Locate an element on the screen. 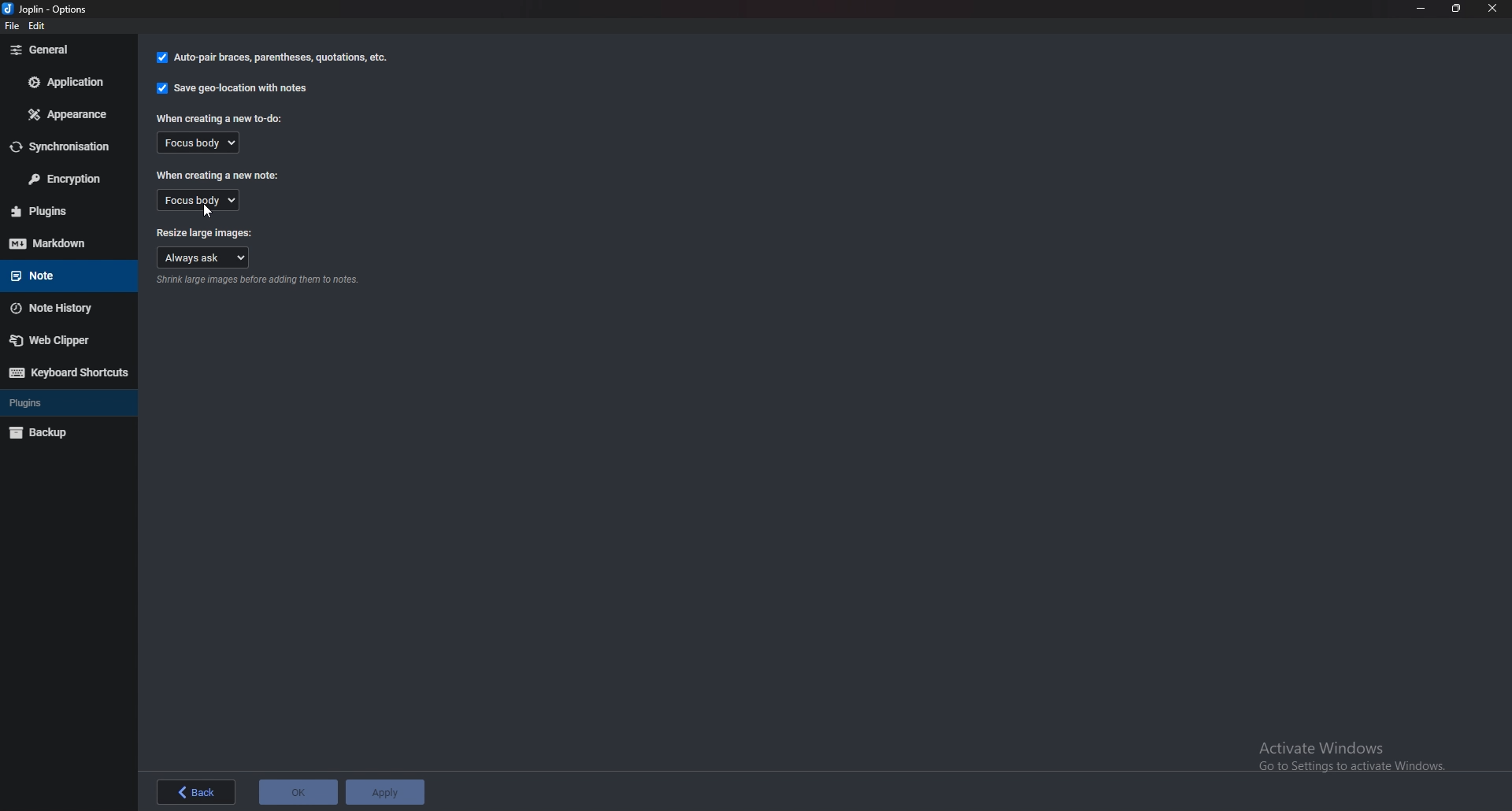  file is located at coordinates (15, 28).